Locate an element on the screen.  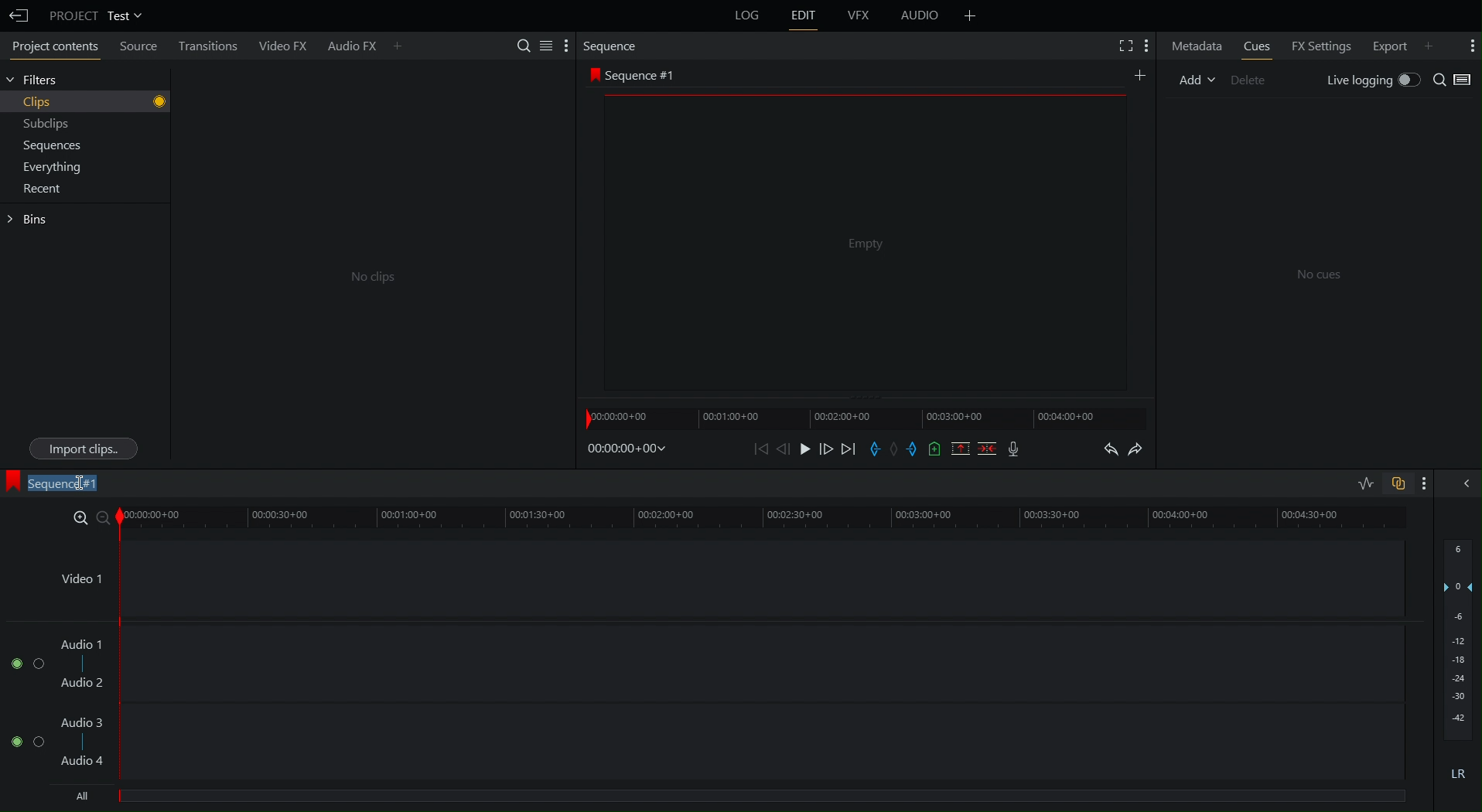
Edit is located at coordinates (807, 19).